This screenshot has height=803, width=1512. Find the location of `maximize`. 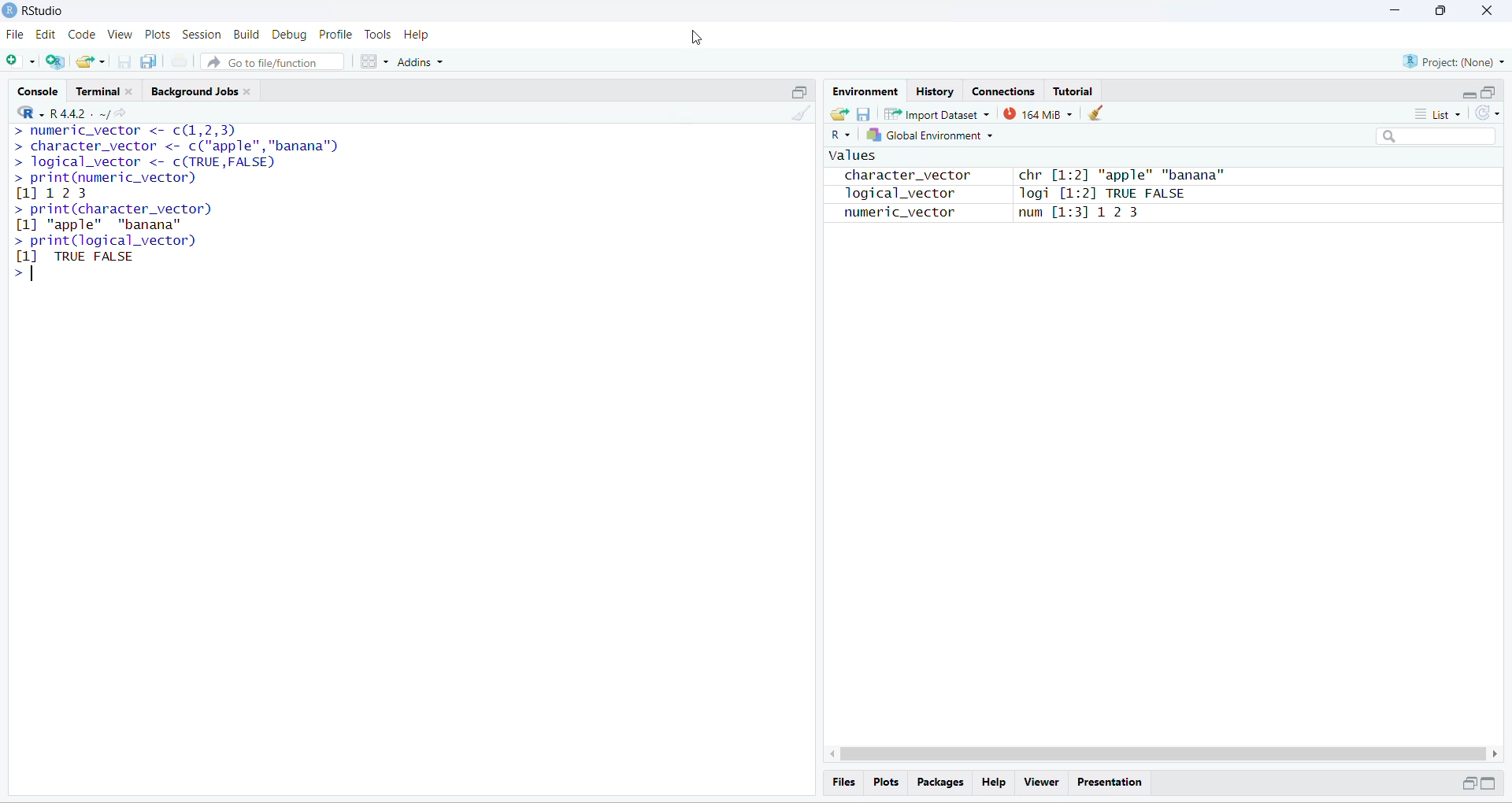

maximize is located at coordinates (1489, 783).